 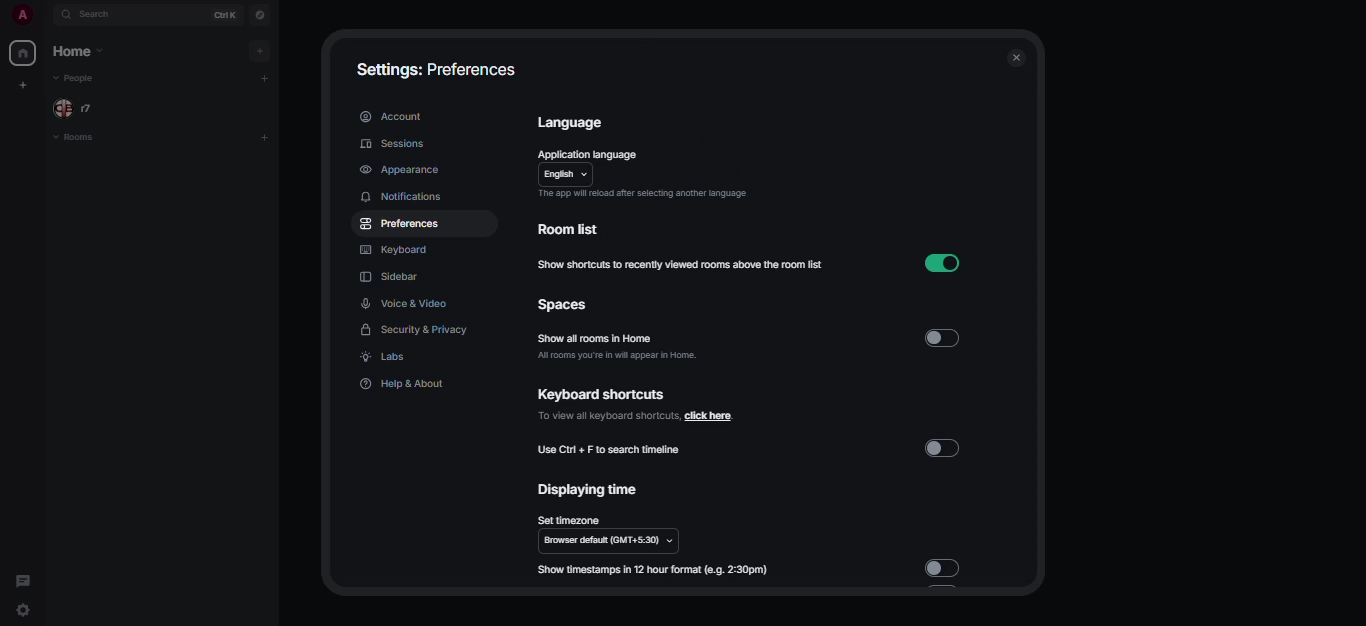 I want to click on rooms, so click(x=82, y=137).